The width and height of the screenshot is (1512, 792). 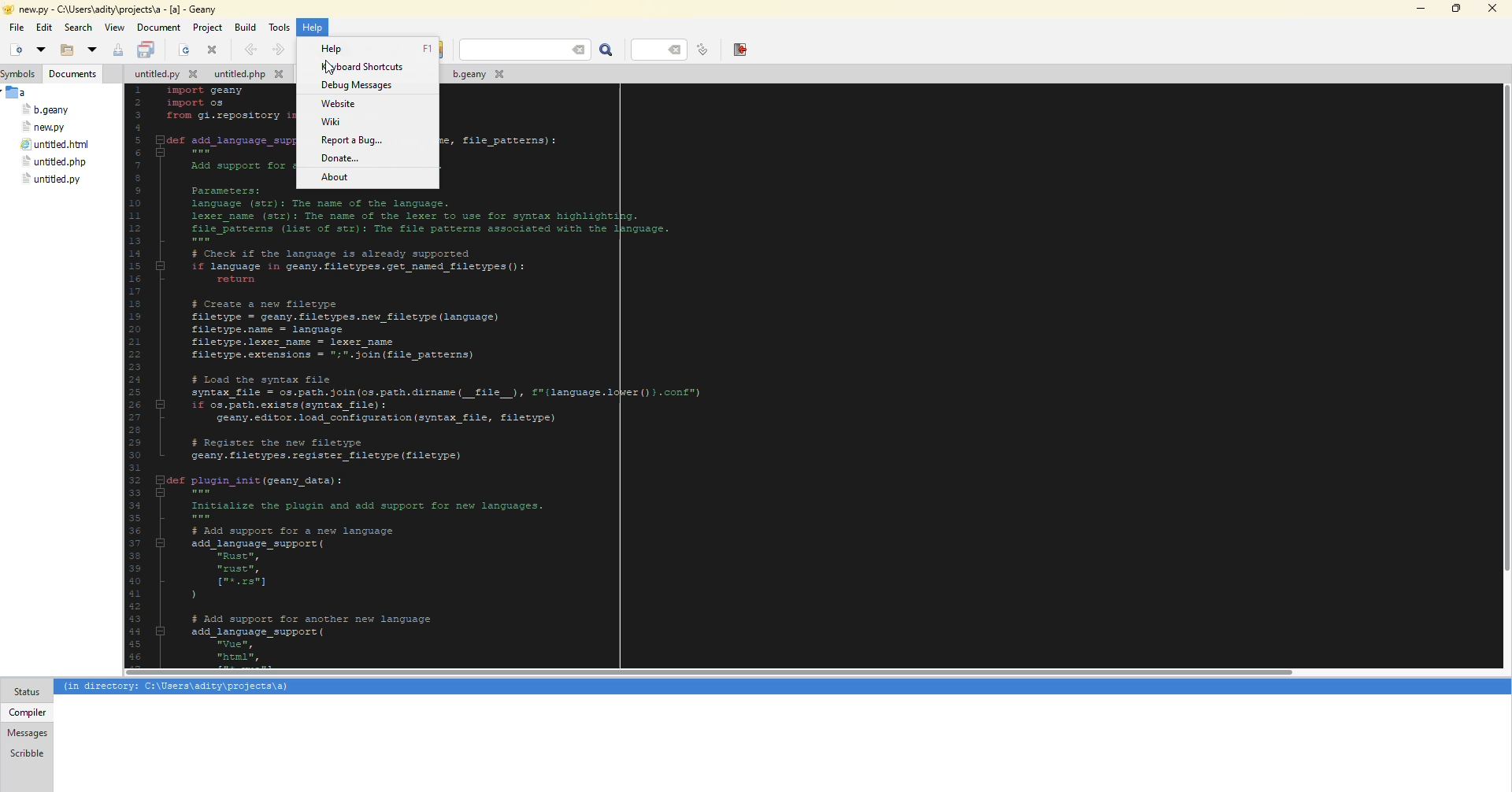 I want to click on open, so click(x=63, y=51).